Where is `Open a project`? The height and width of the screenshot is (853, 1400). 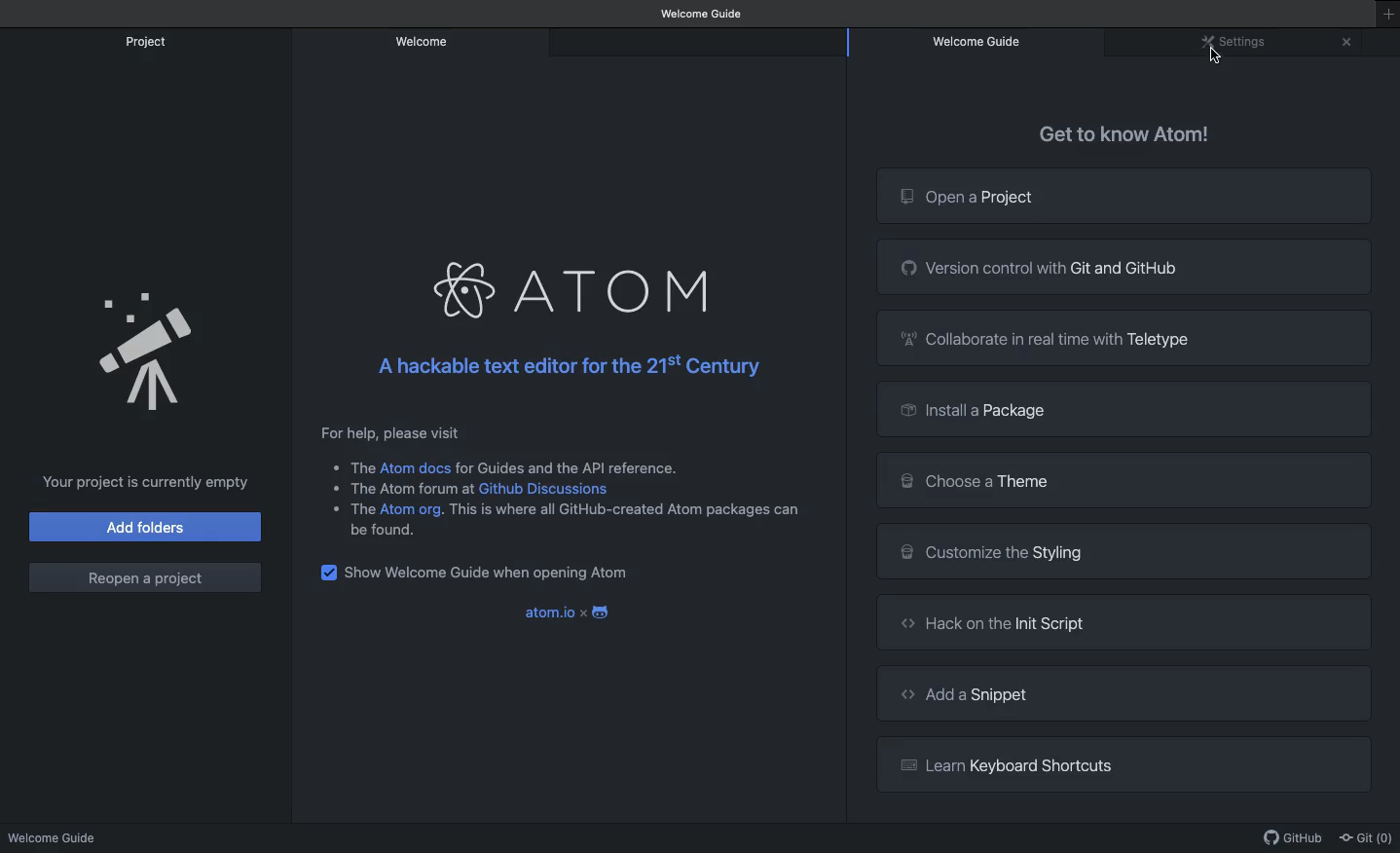
Open a project is located at coordinates (1125, 194).